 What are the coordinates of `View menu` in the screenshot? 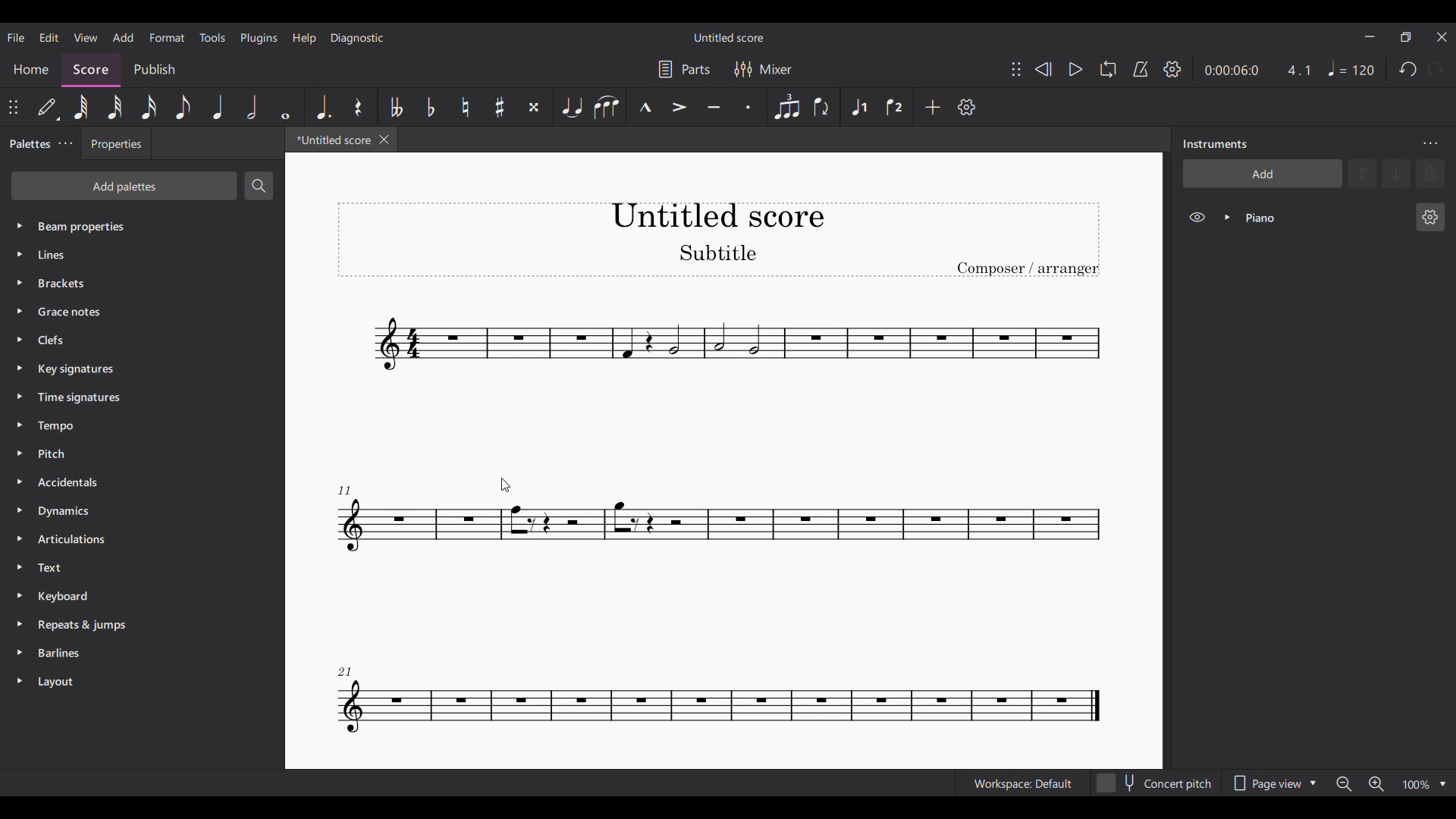 It's located at (85, 37).